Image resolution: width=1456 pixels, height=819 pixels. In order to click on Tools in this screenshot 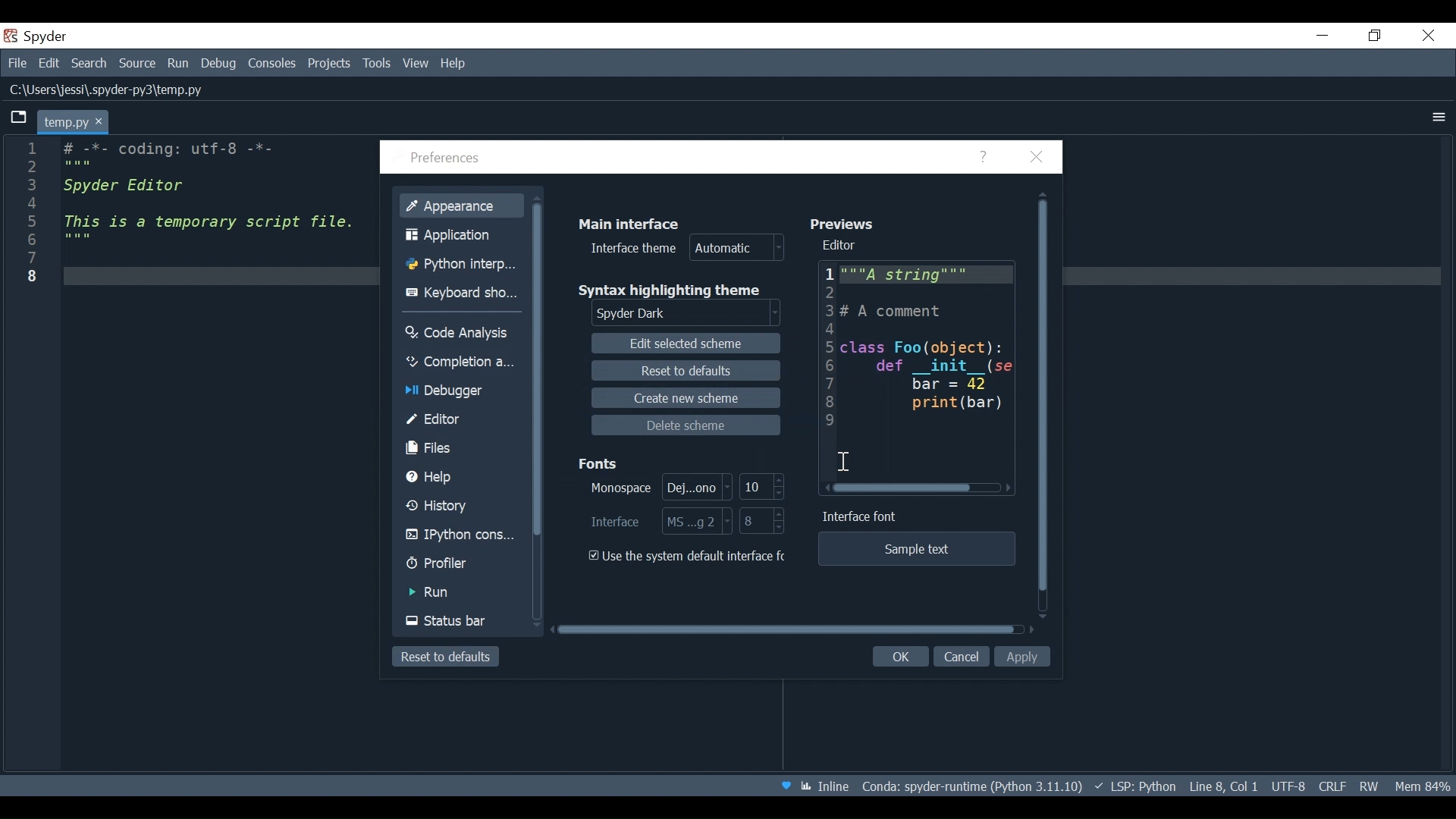, I will do `click(376, 63)`.